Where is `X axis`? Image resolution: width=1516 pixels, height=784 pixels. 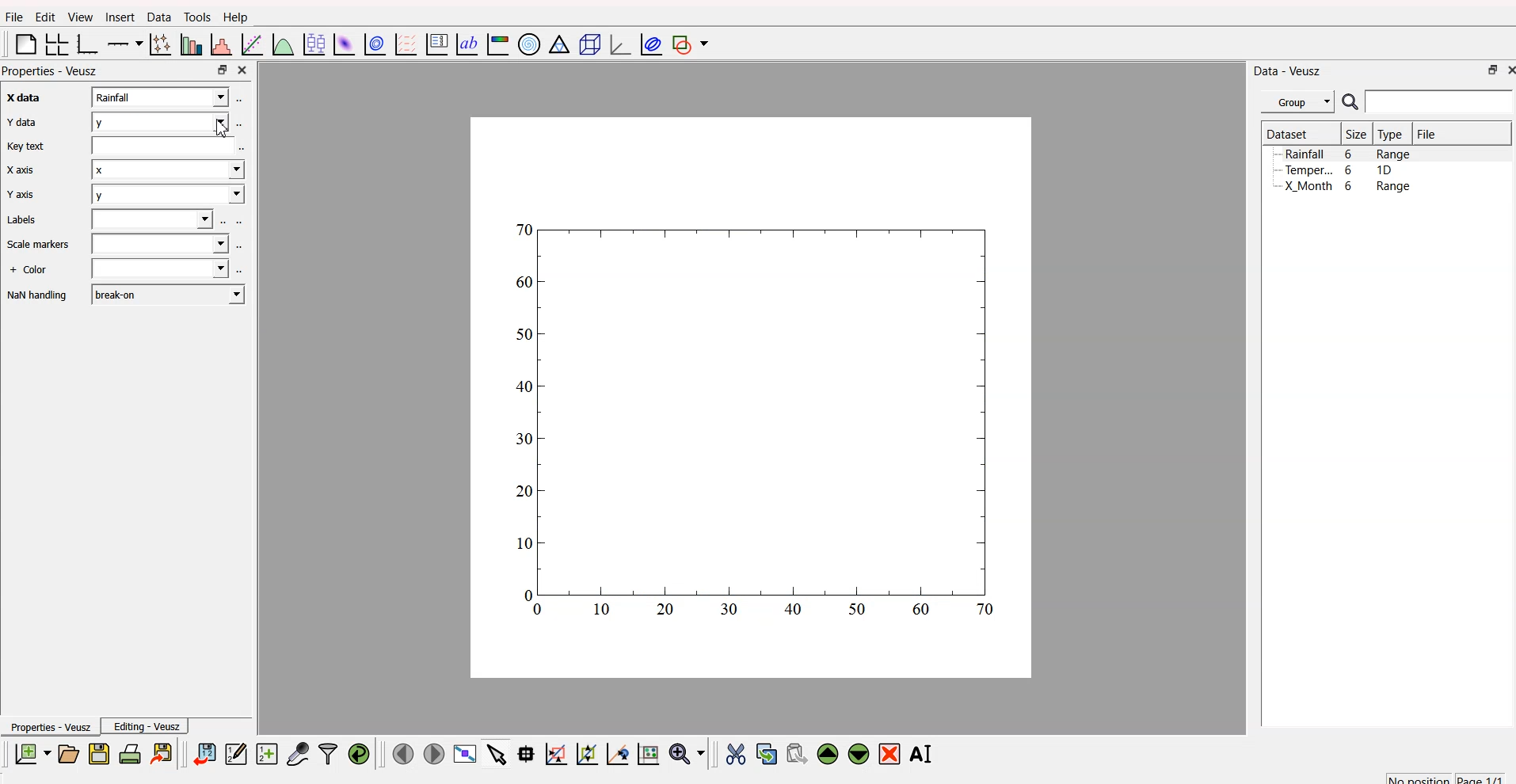
X axis is located at coordinates (22, 170).